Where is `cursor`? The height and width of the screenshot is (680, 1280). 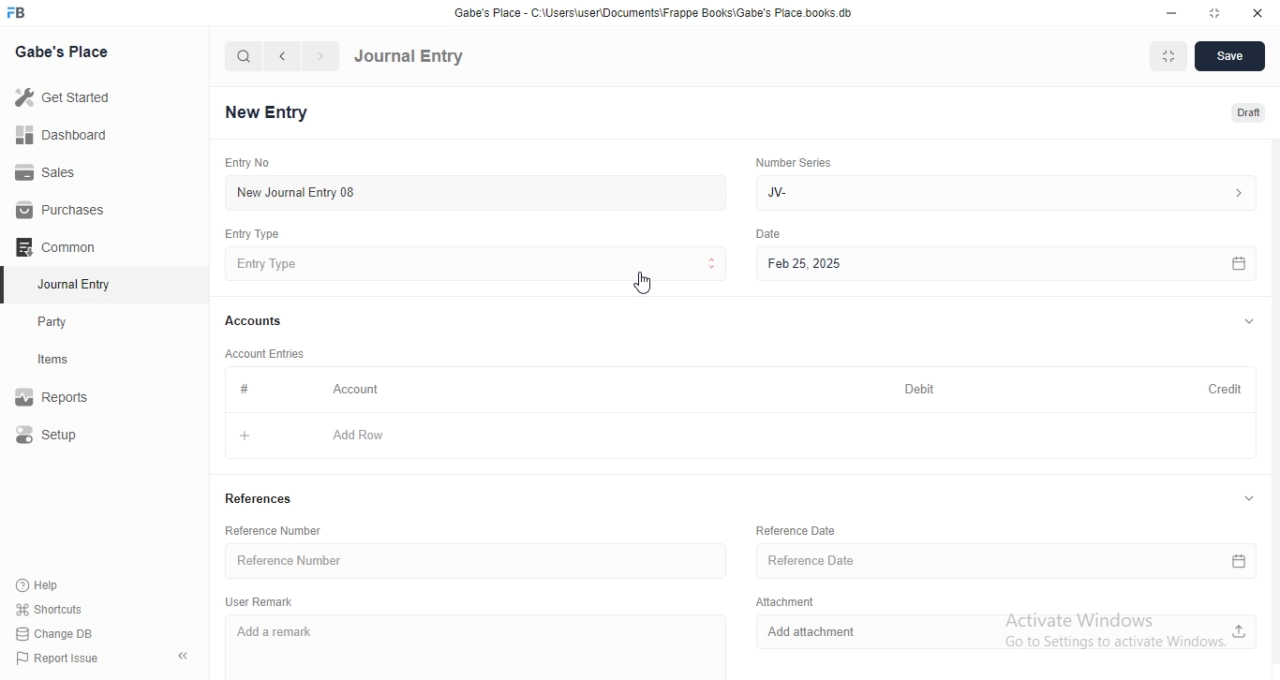 cursor is located at coordinates (637, 284).